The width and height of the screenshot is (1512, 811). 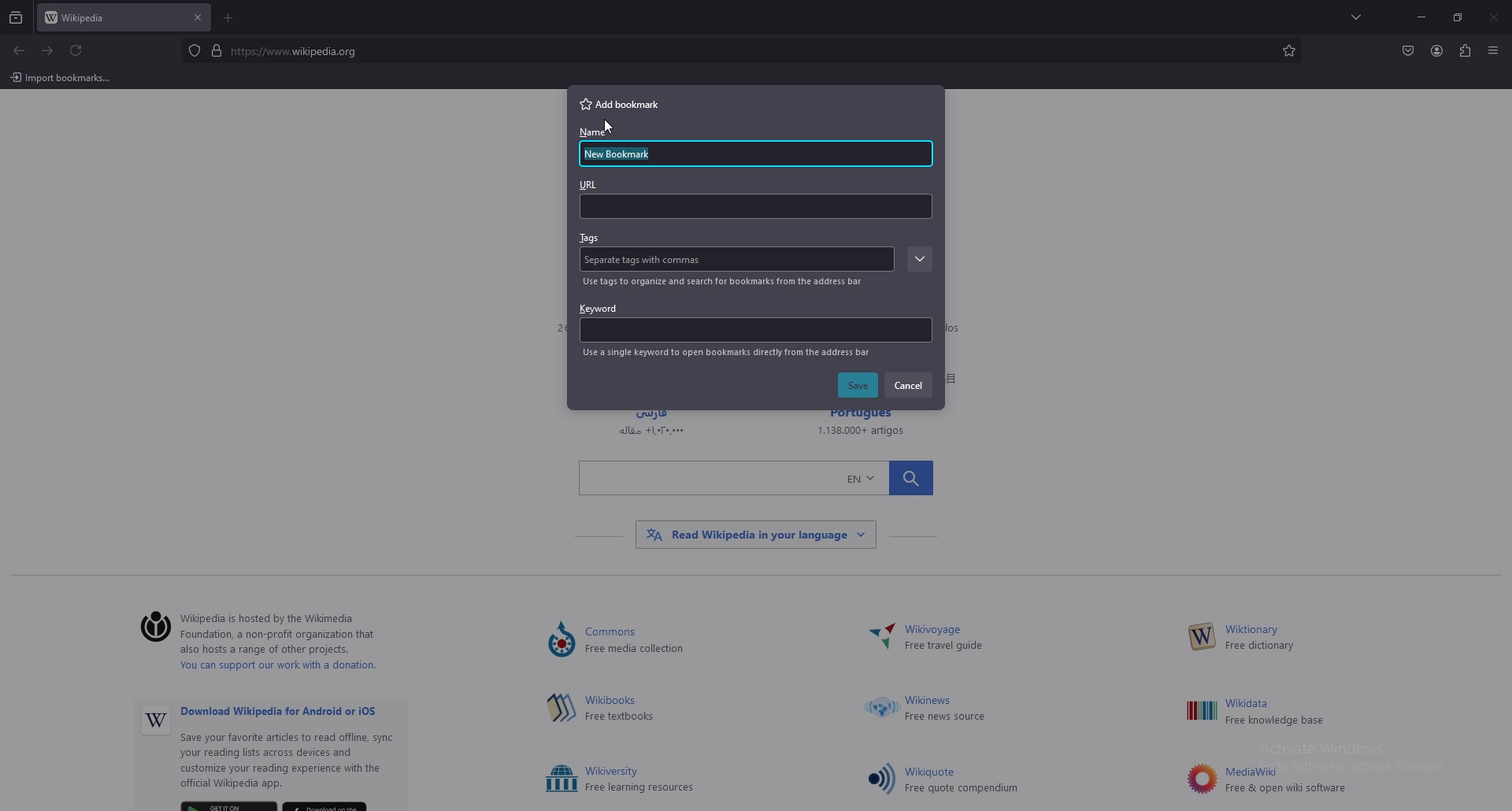 I want to click on W—
Free dictionary, so click(x=1259, y=639).